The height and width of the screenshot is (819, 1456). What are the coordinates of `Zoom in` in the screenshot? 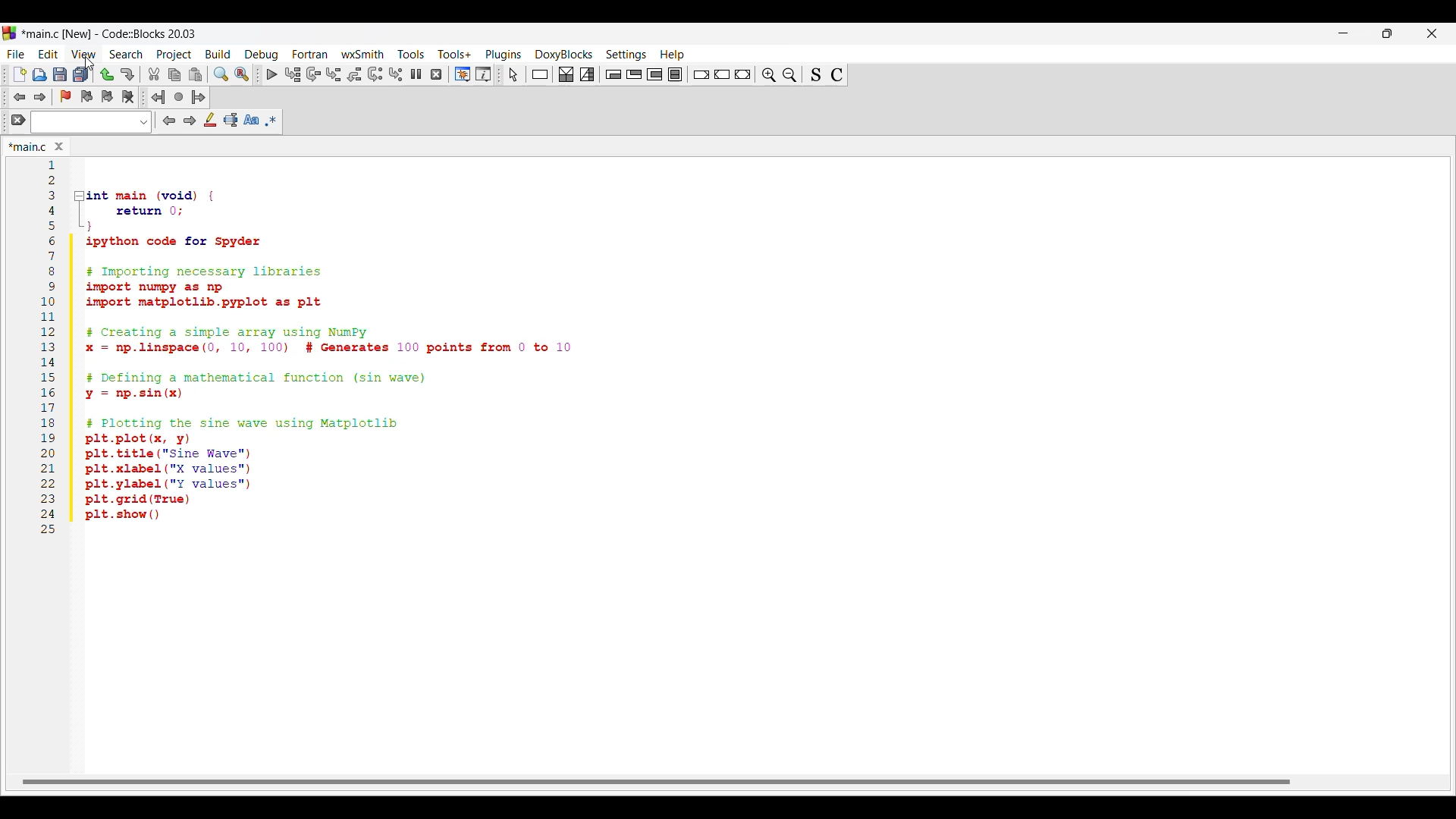 It's located at (769, 74).